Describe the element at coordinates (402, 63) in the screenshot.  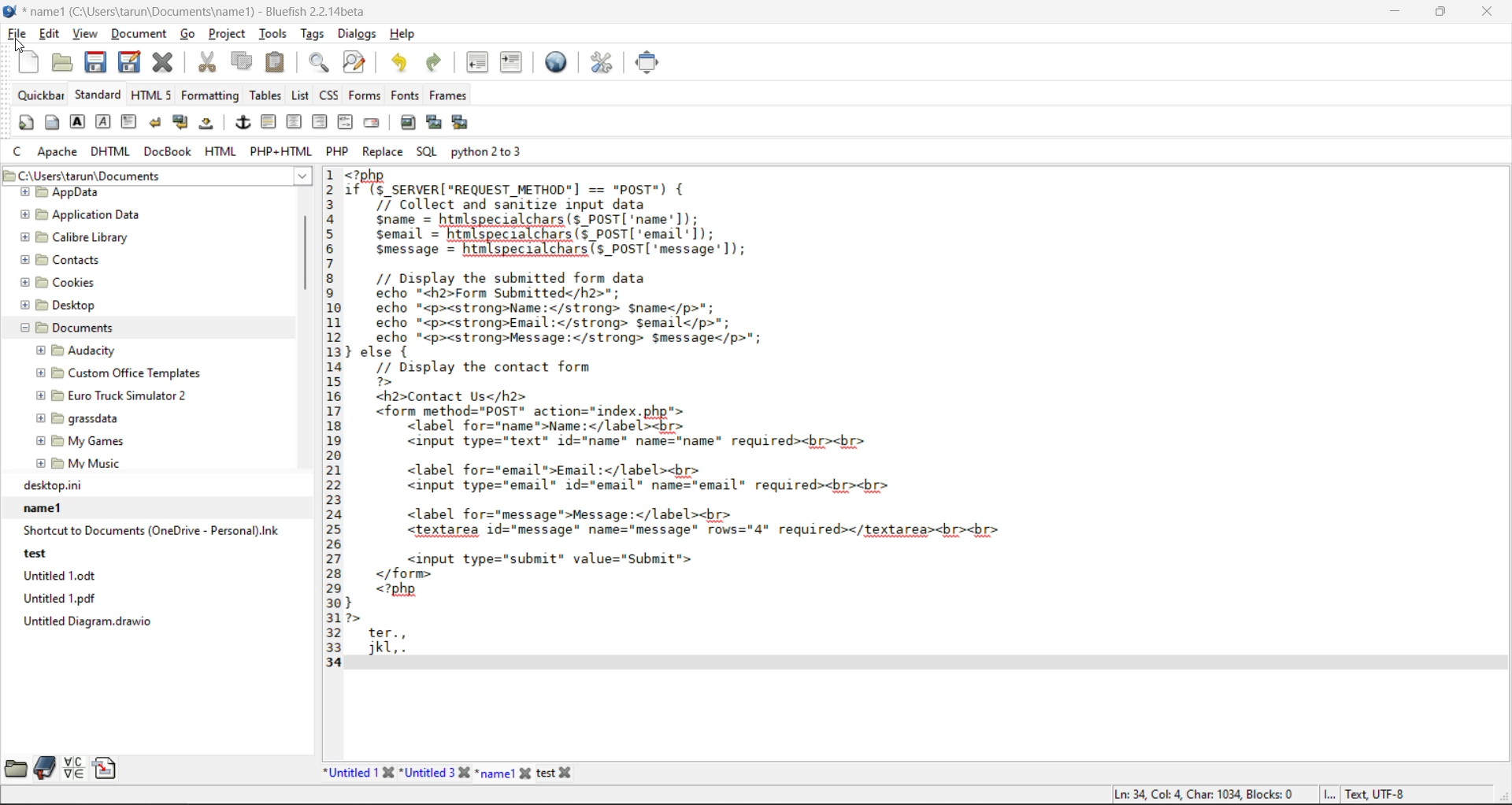
I see `undo` at that location.